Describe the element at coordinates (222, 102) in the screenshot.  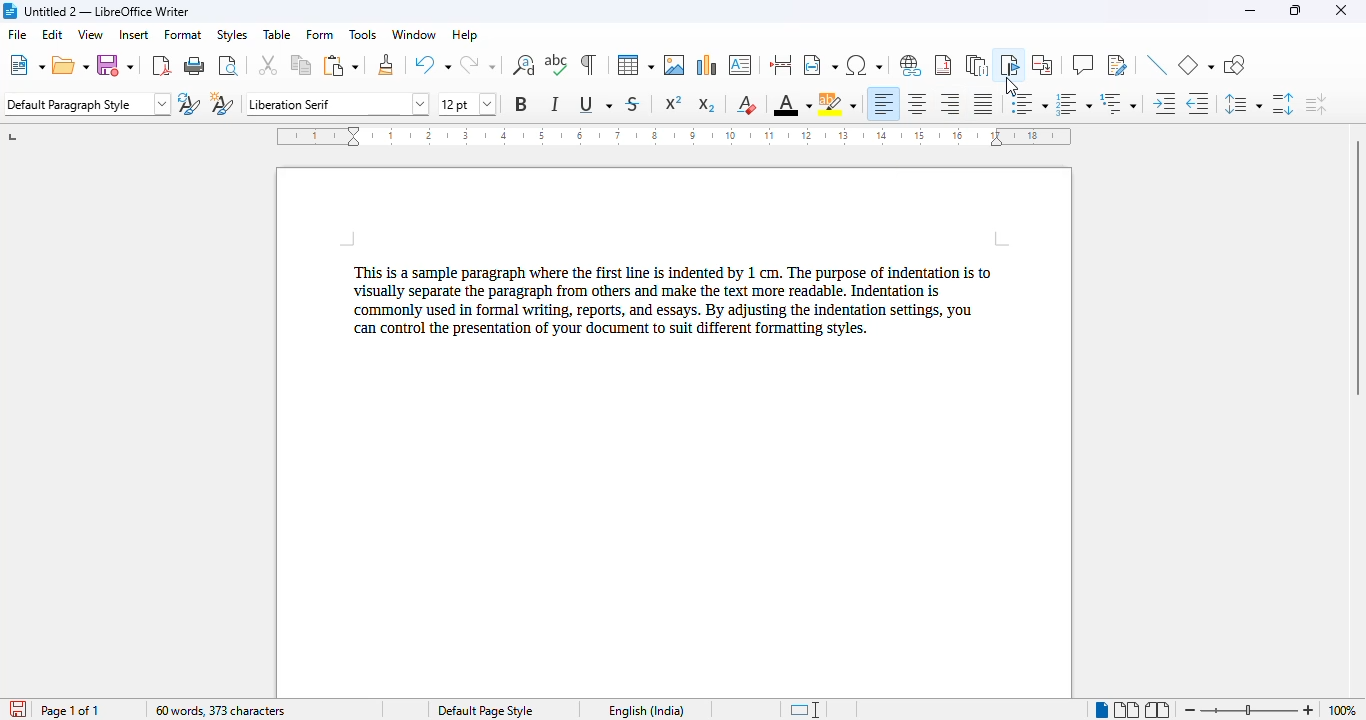
I see `new style from selection` at that location.